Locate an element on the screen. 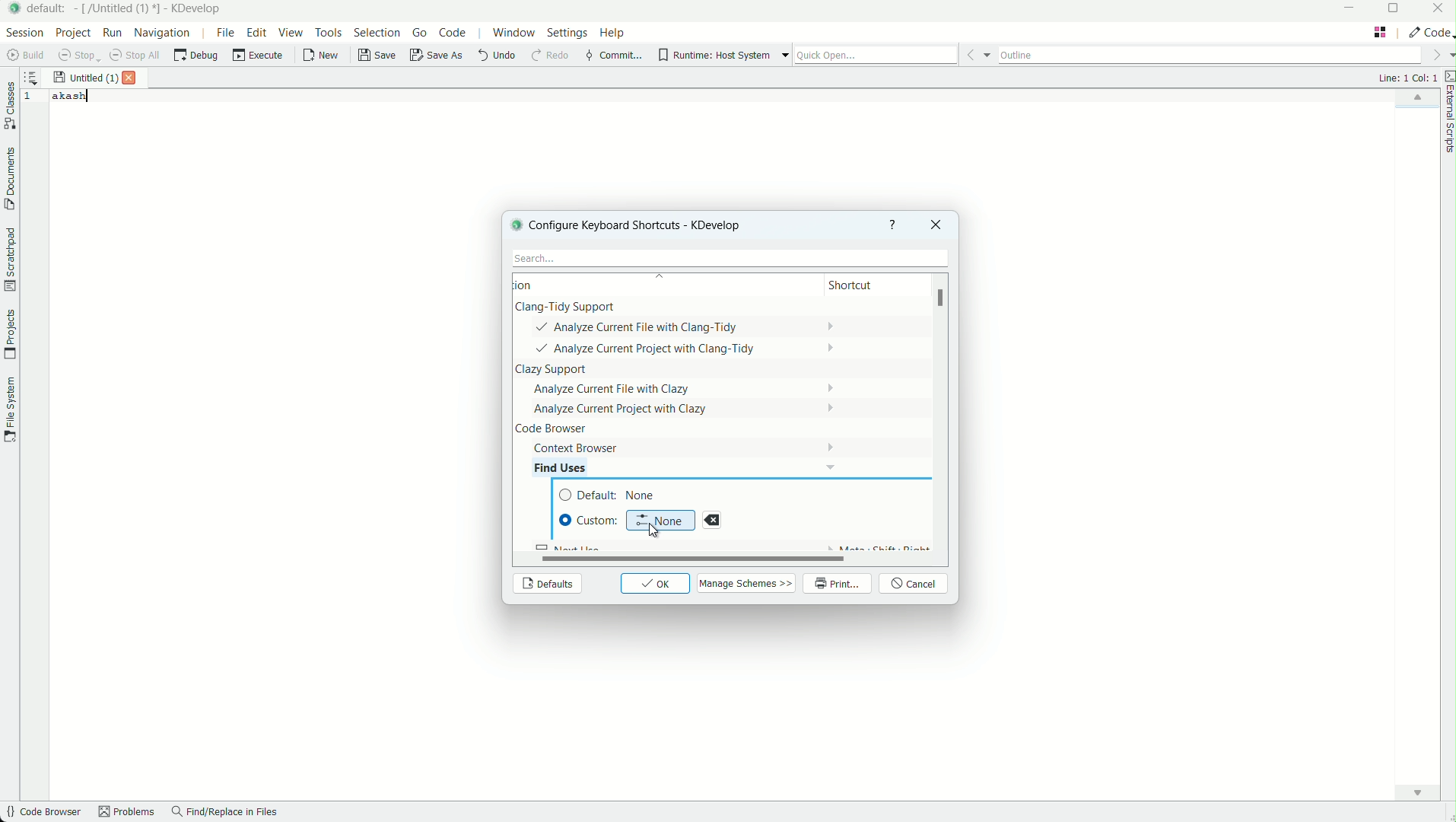 This screenshot has height=822, width=1456. change layout is located at coordinates (1380, 32).